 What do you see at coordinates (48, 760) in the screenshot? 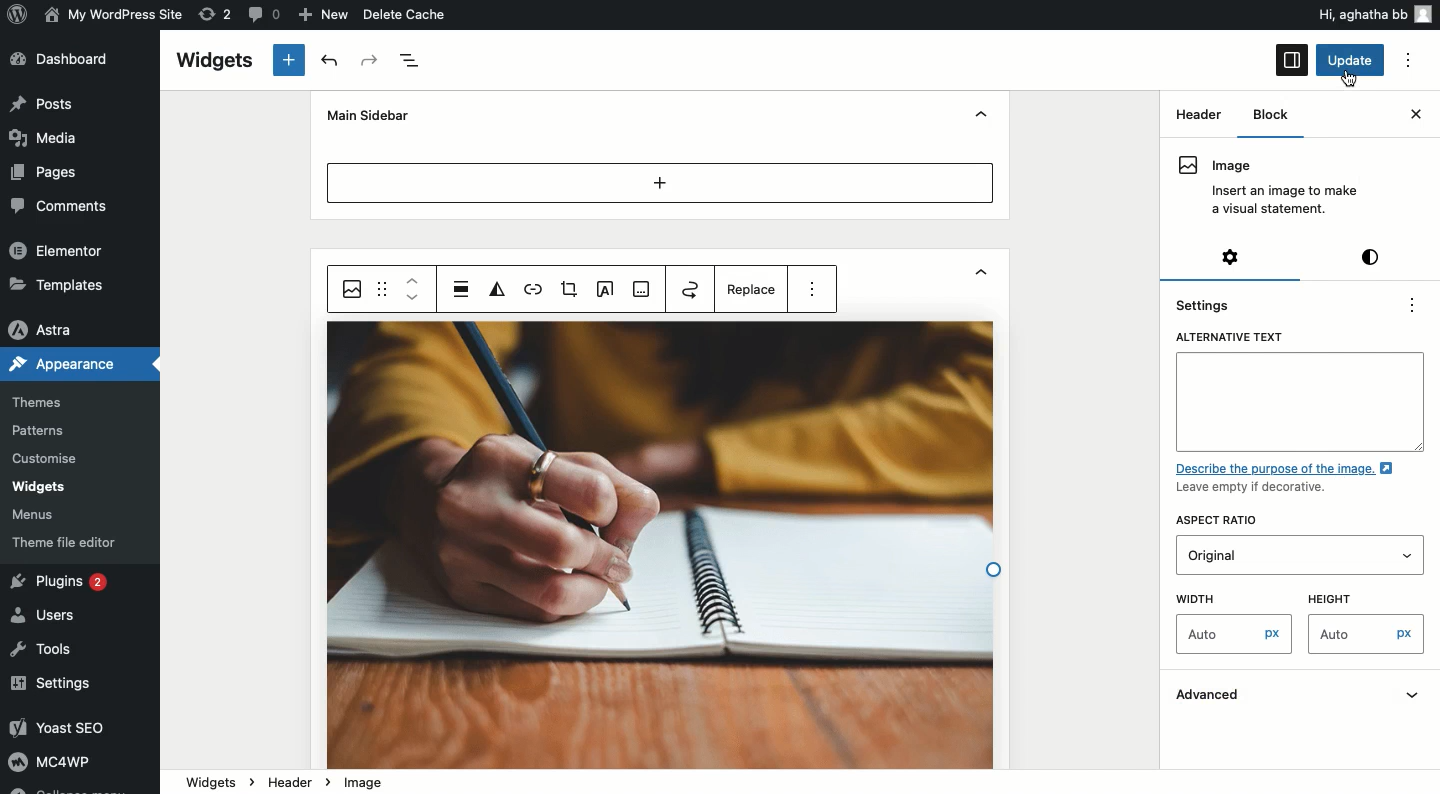
I see `MC4WP` at bounding box center [48, 760].